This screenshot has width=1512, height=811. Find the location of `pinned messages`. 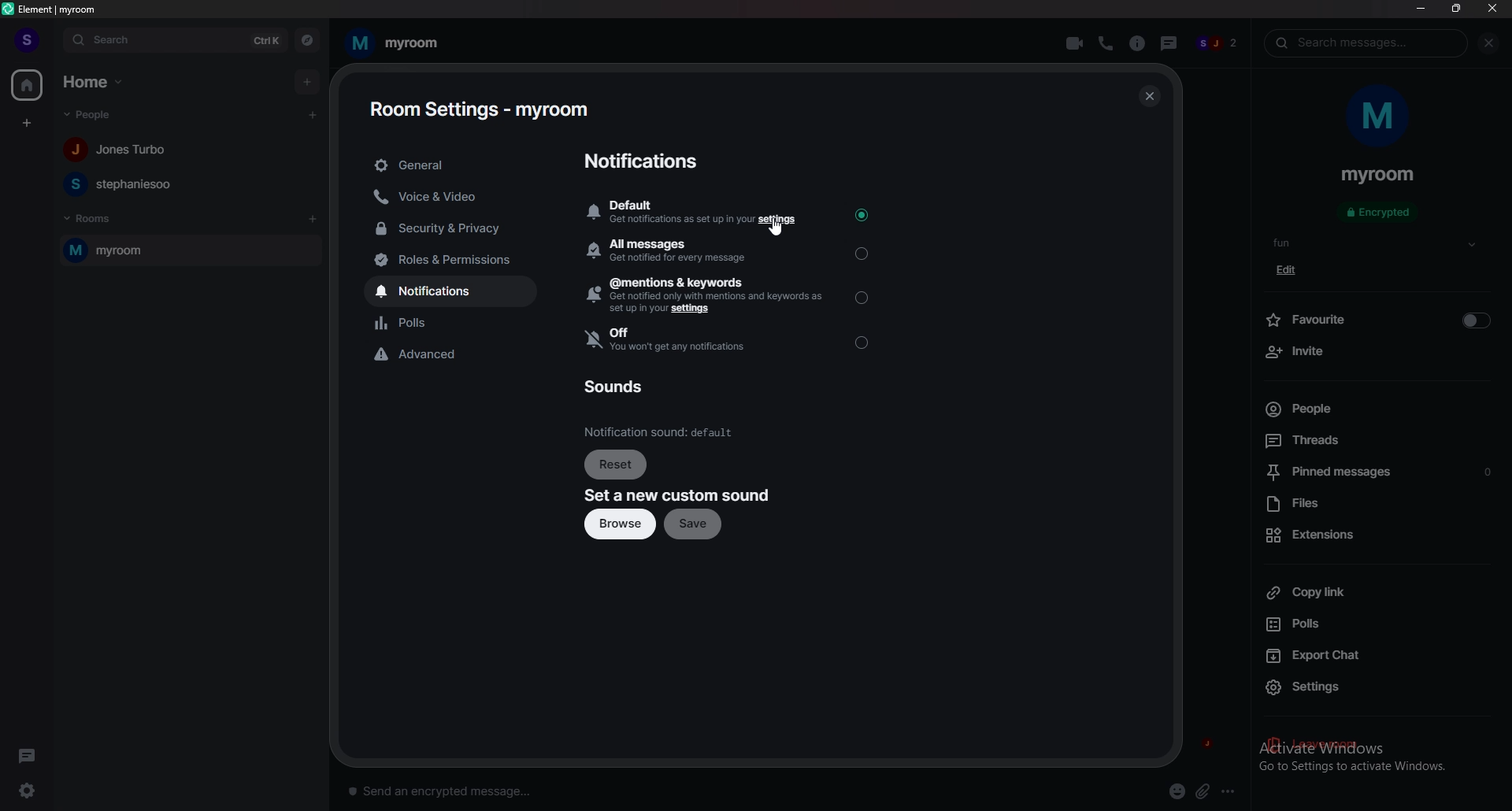

pinned messages is located at coordinates (1380, 474).